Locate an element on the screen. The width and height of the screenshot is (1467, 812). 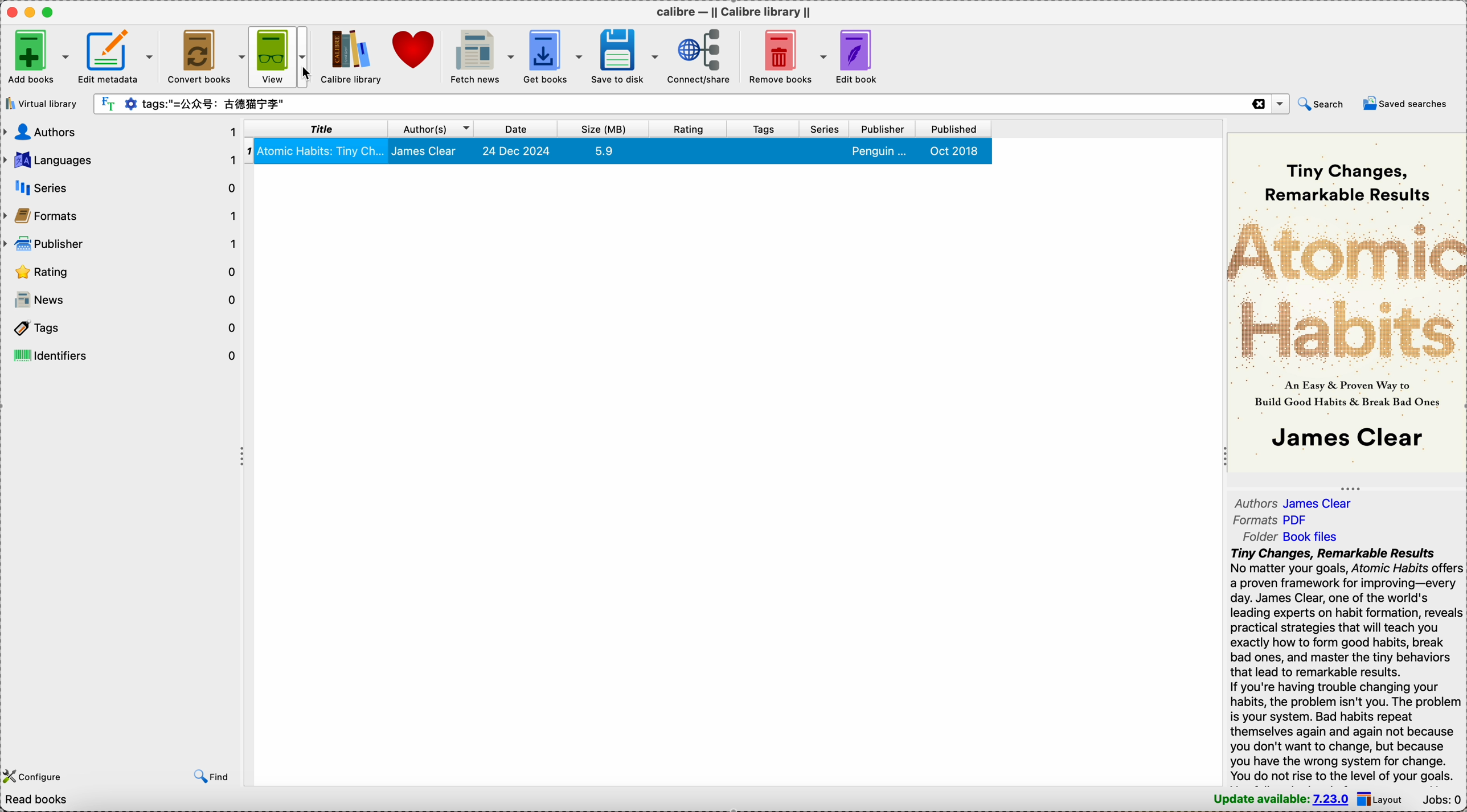
layout is located at coordinates (1382, 798).